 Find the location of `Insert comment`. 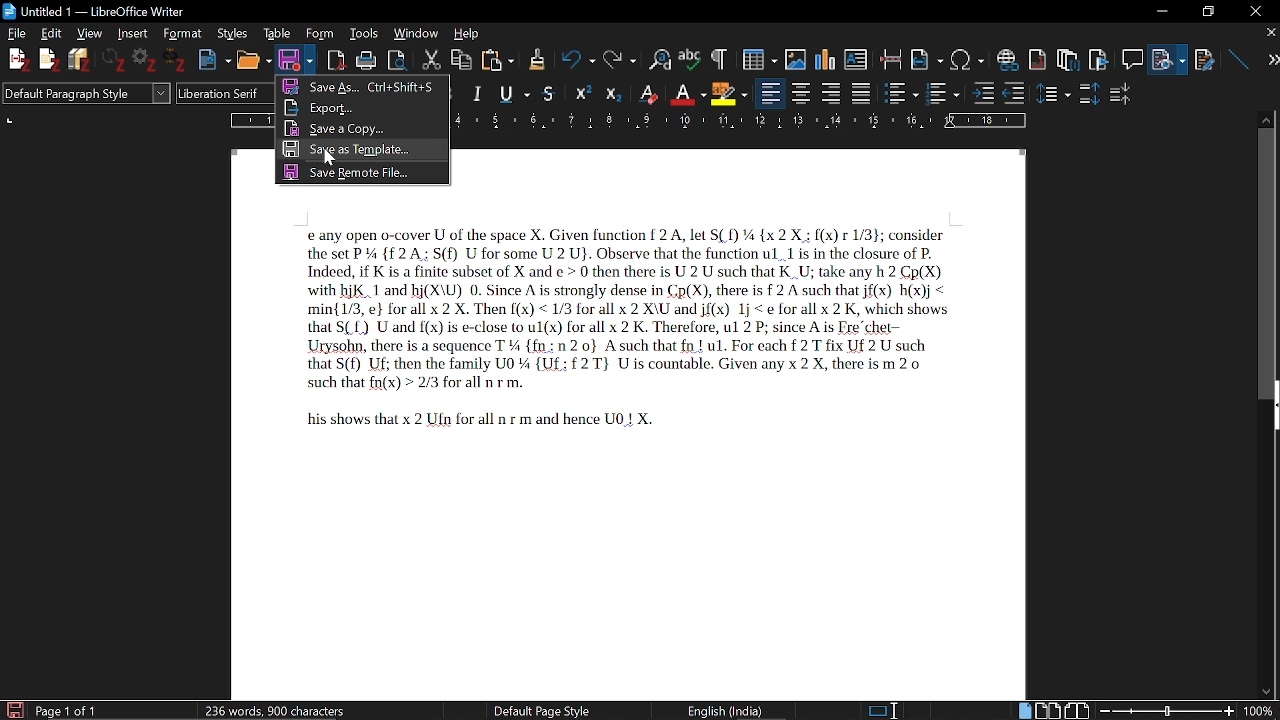

Insert comment is located at coordinates (1131, 55).